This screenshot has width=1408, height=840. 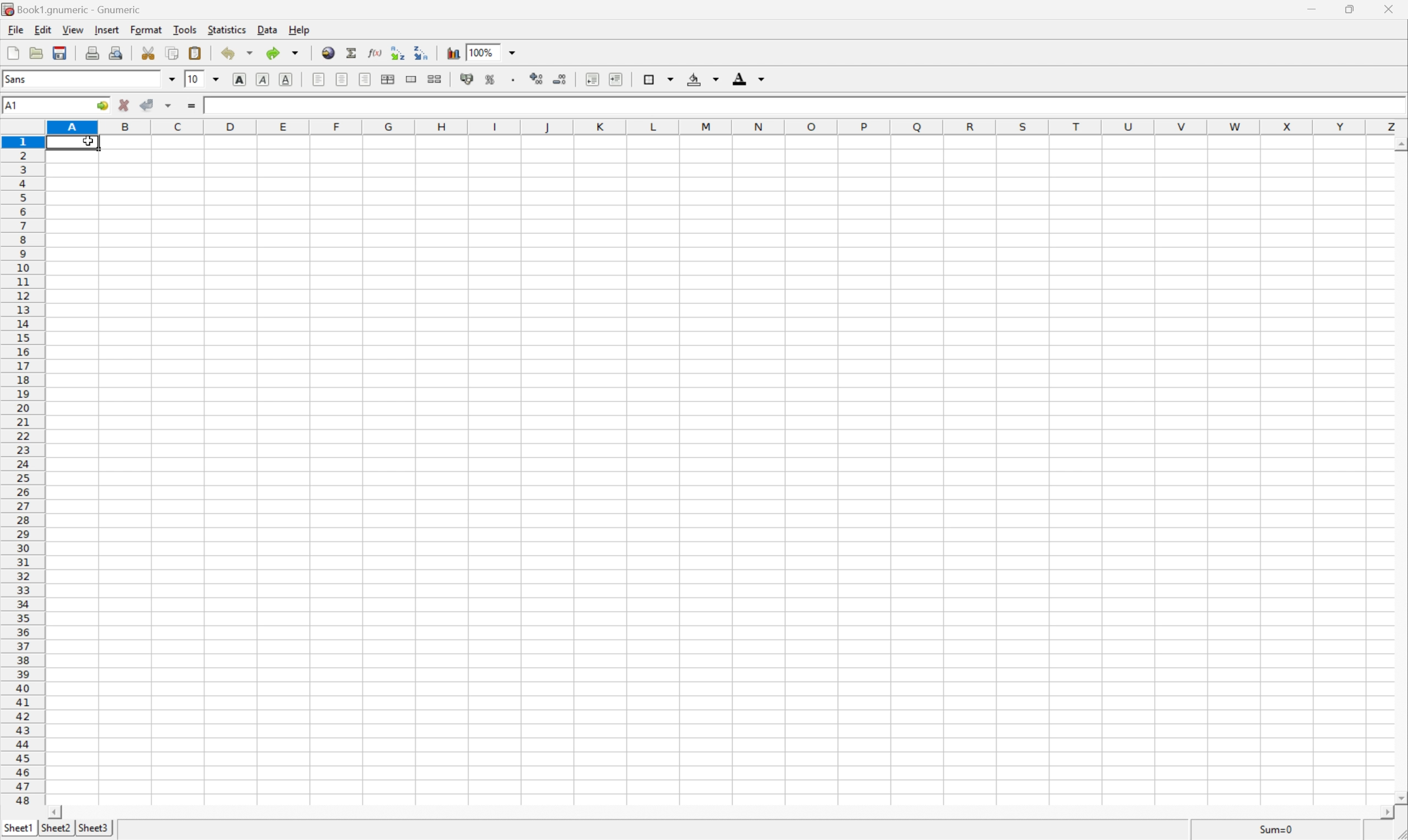 I want to click on tools, so click(x=184, y=31).